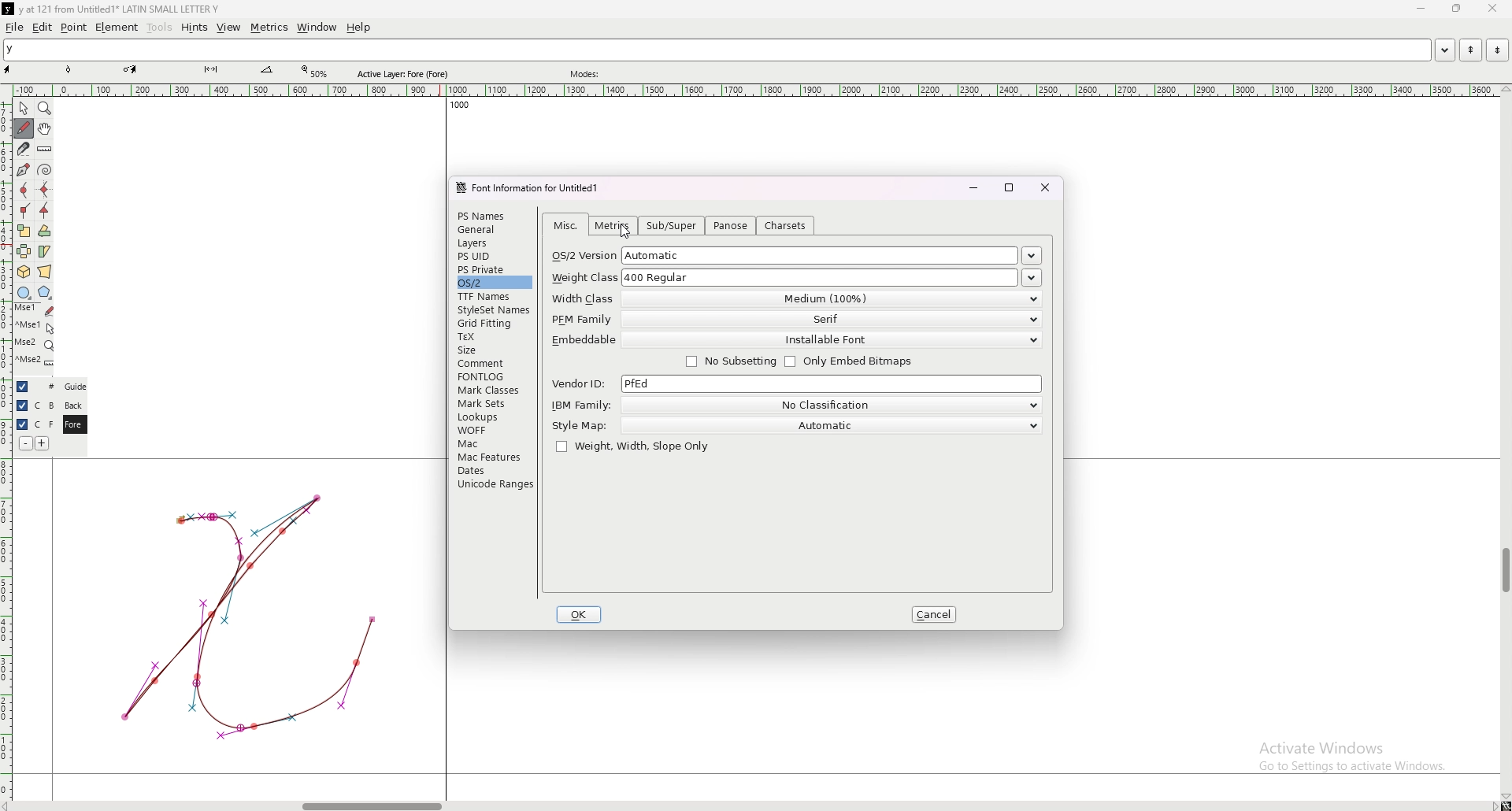 The width and height of the screenshot is (1512, 811). What do you see at coordinates (566, 226) in the screenshot?
I see `misc` at bounding box center [566, 226].